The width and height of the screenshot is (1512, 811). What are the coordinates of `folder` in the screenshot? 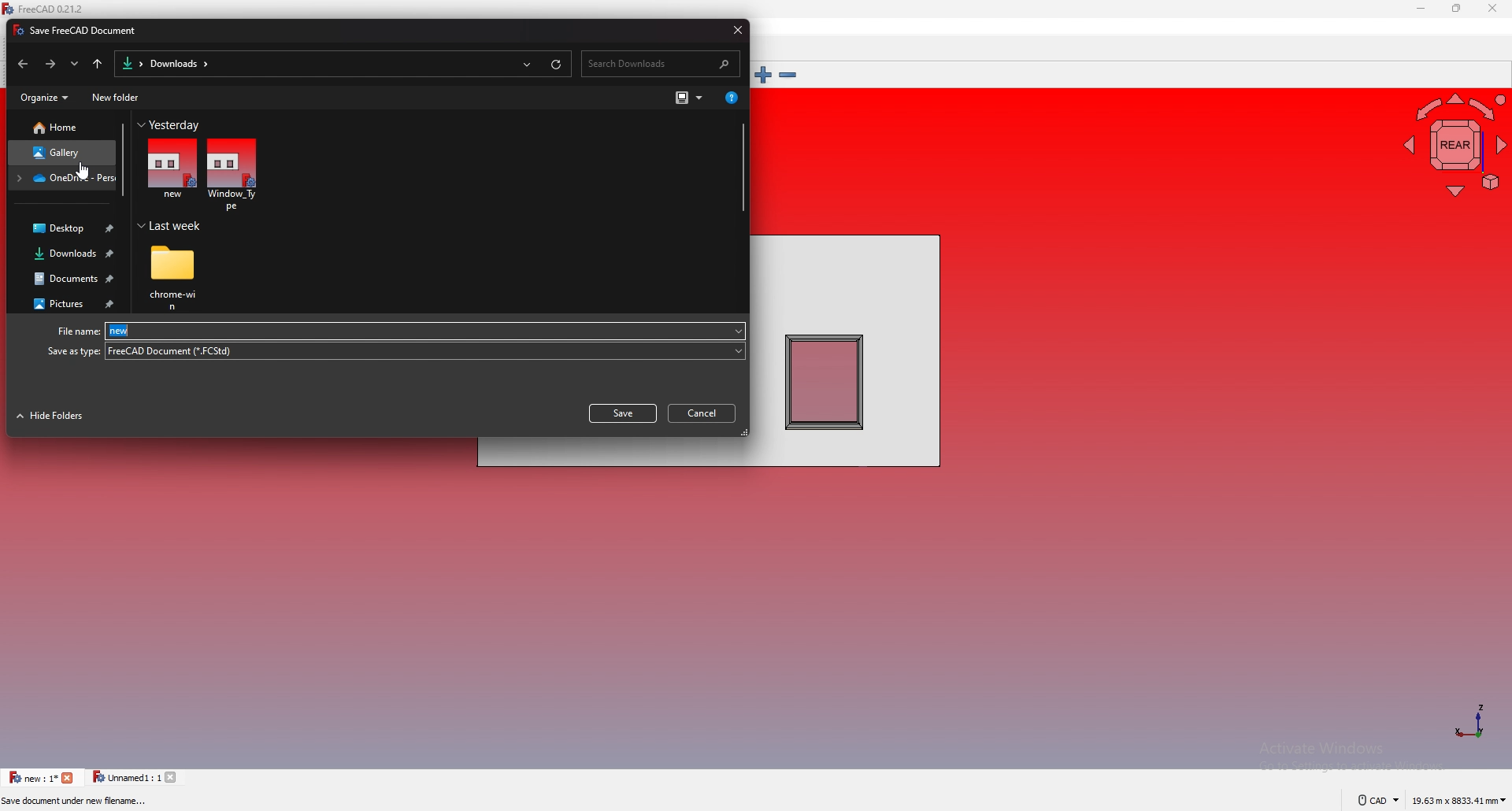 It's located at (128, 64).